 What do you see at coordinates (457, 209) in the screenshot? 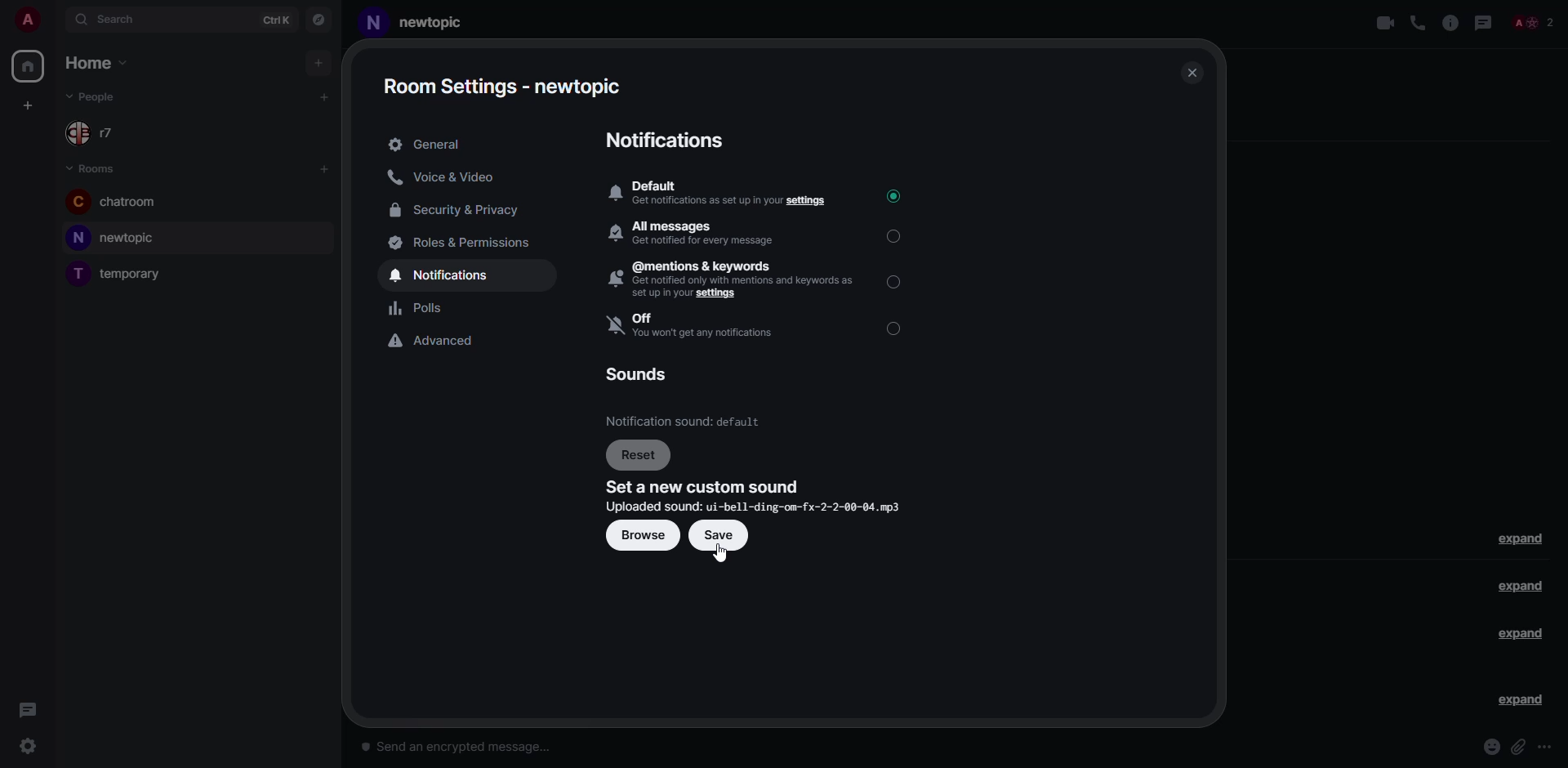
I see `security` at bounding box center [457, 209].